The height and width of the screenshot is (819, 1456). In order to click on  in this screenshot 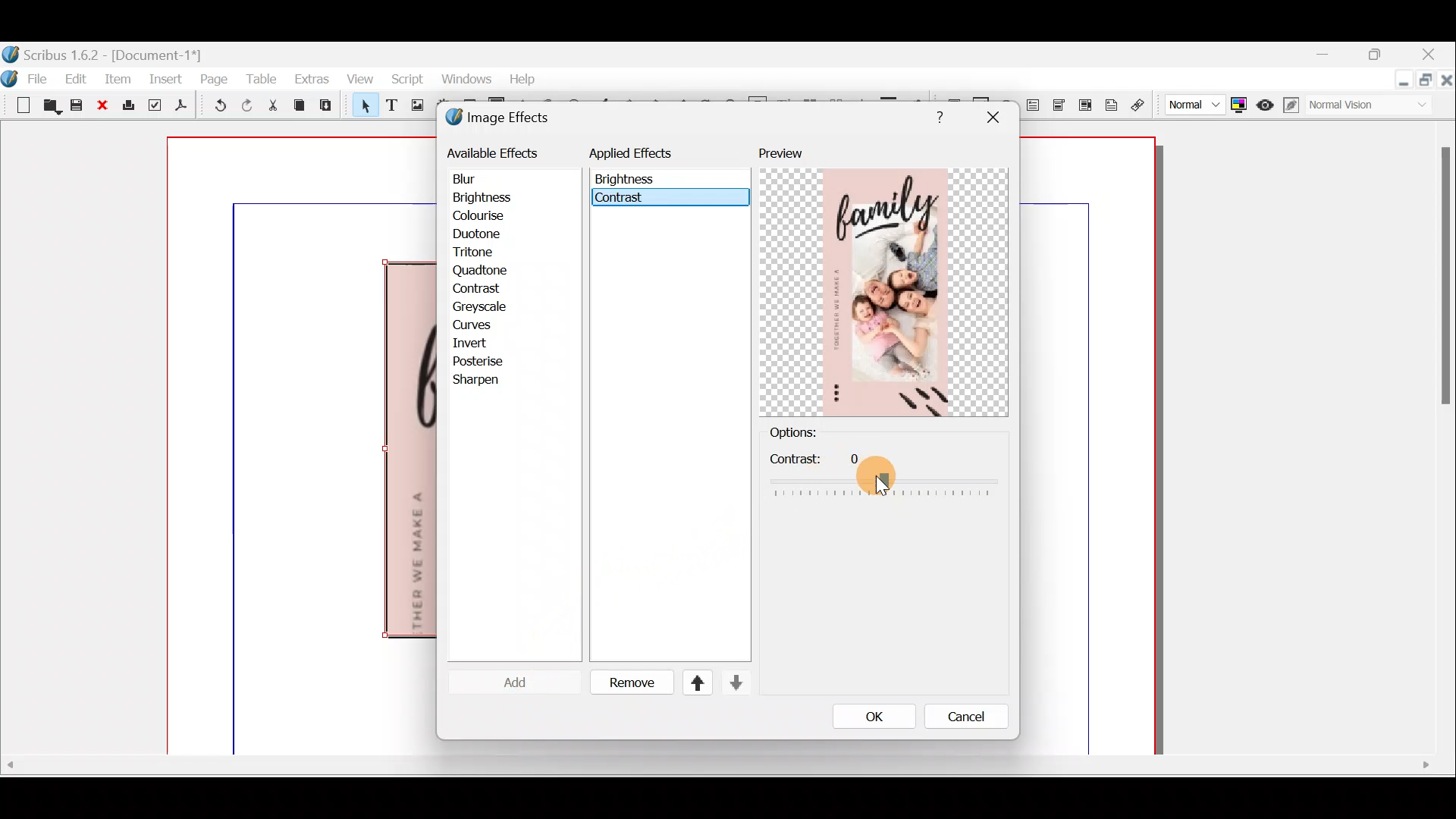, I will do `click(715, 765)`.